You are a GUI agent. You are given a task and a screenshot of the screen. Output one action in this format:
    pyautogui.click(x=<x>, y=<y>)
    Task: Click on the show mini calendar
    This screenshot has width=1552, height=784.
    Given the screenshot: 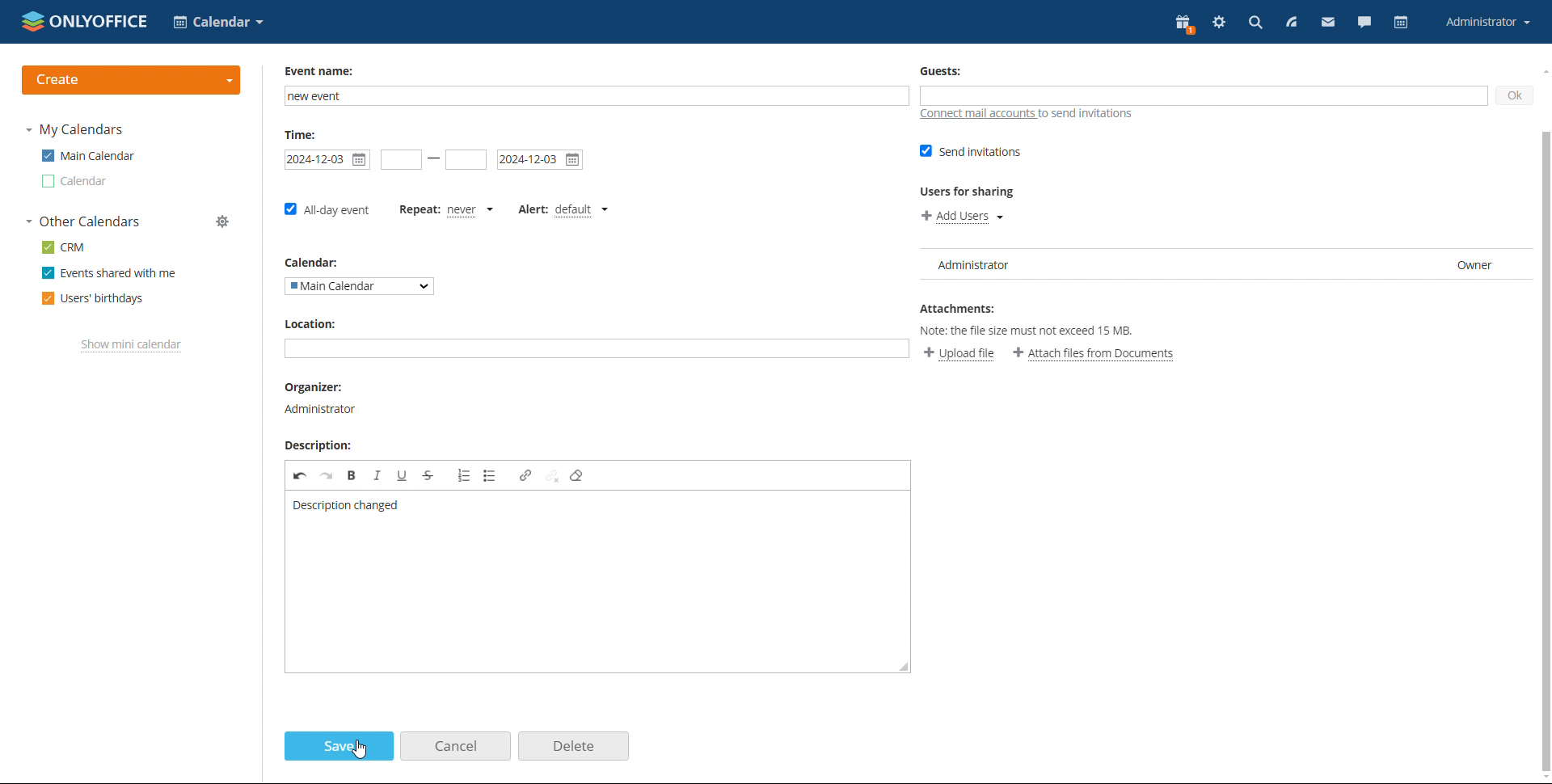 What is the action you would take?
    pyautogui.click(x=132, y=346)
    